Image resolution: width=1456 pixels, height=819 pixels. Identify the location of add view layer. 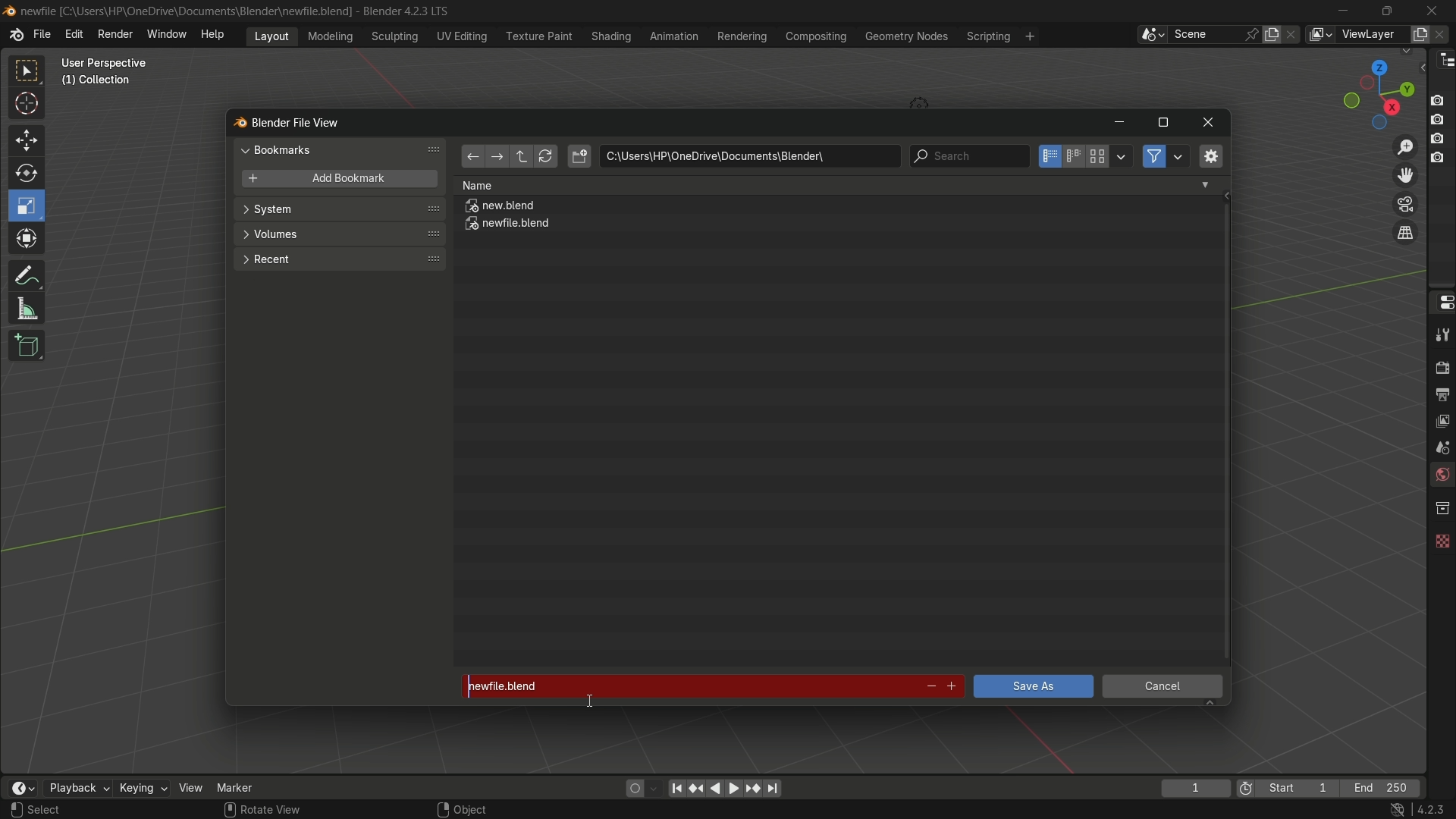
(1418, 33).